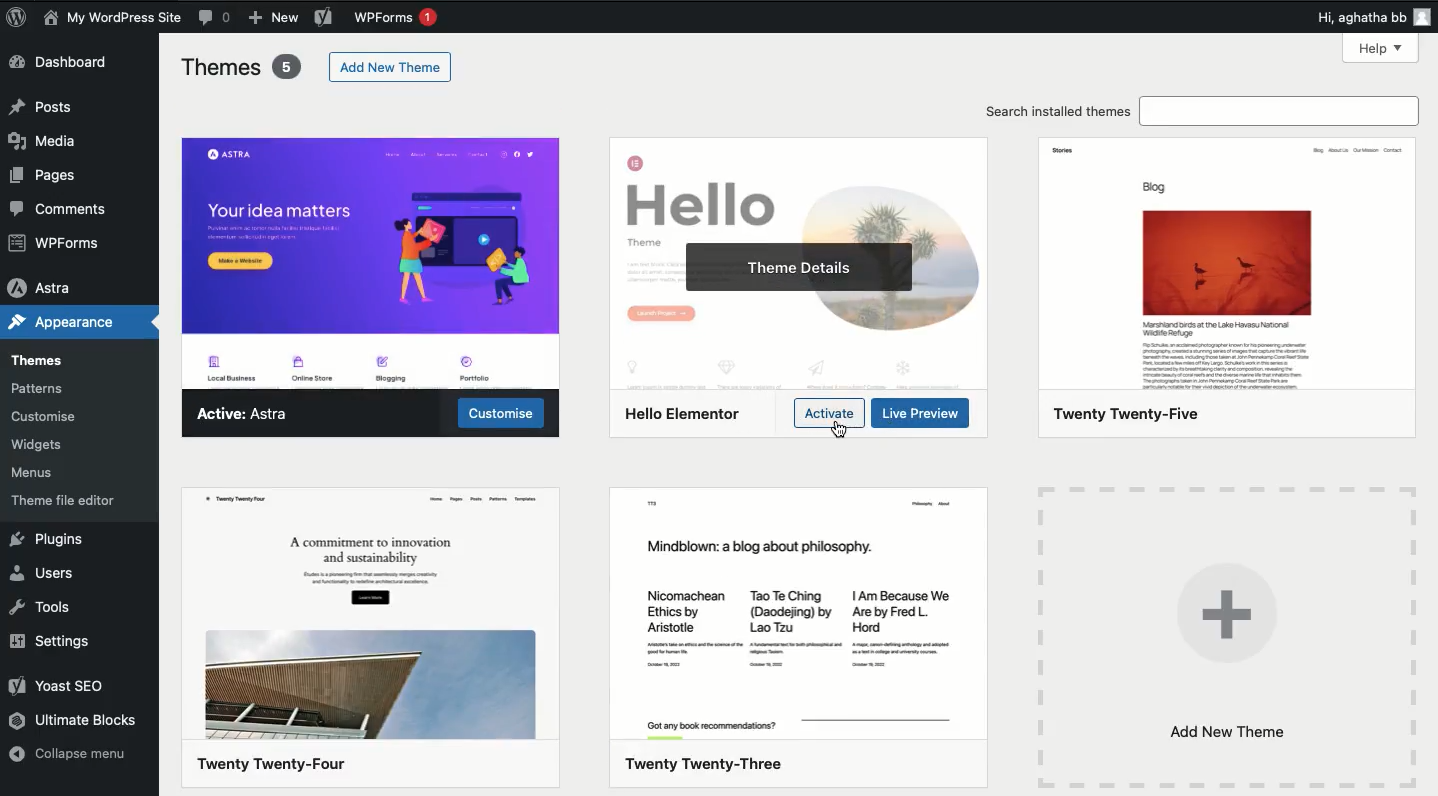  I want to click on Posts, so click(43, 109).